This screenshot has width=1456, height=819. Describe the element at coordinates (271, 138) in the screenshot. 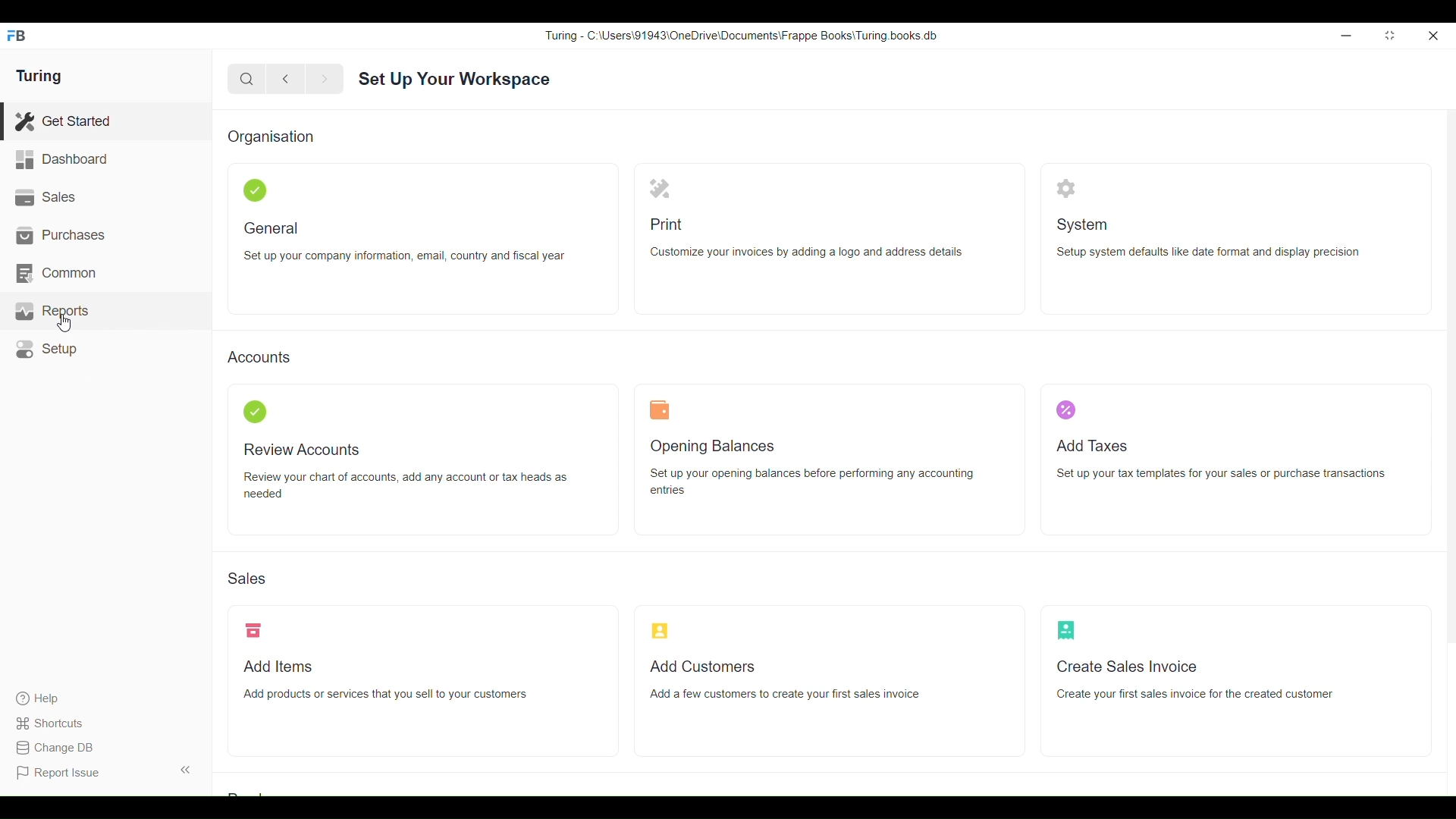

I see `Organisation` at that location.